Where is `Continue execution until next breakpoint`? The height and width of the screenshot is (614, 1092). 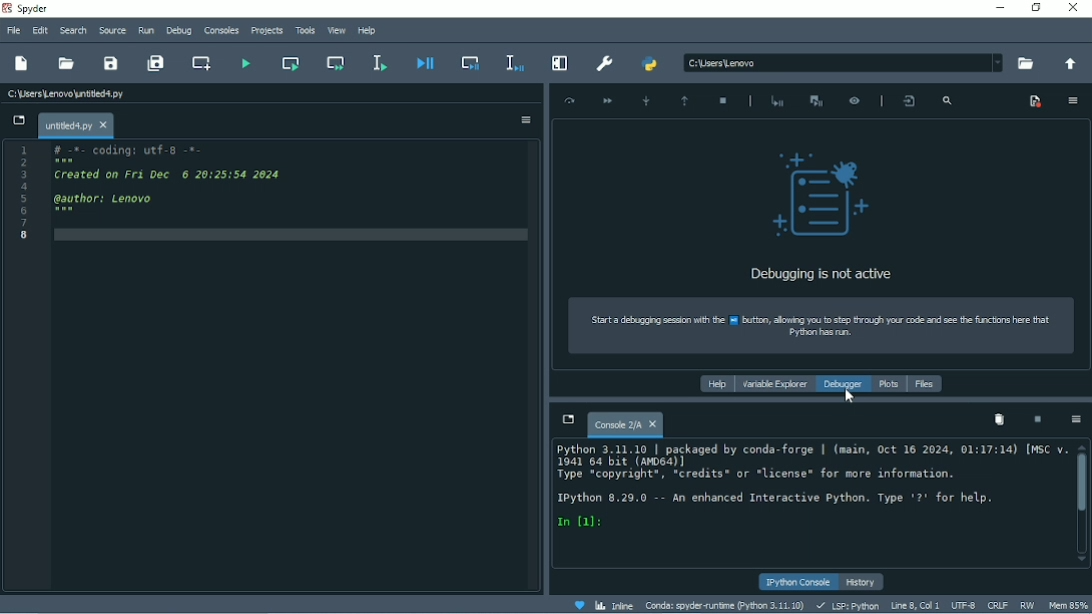 Continue execution until next breakpoint is located at coordinates (608, 102).